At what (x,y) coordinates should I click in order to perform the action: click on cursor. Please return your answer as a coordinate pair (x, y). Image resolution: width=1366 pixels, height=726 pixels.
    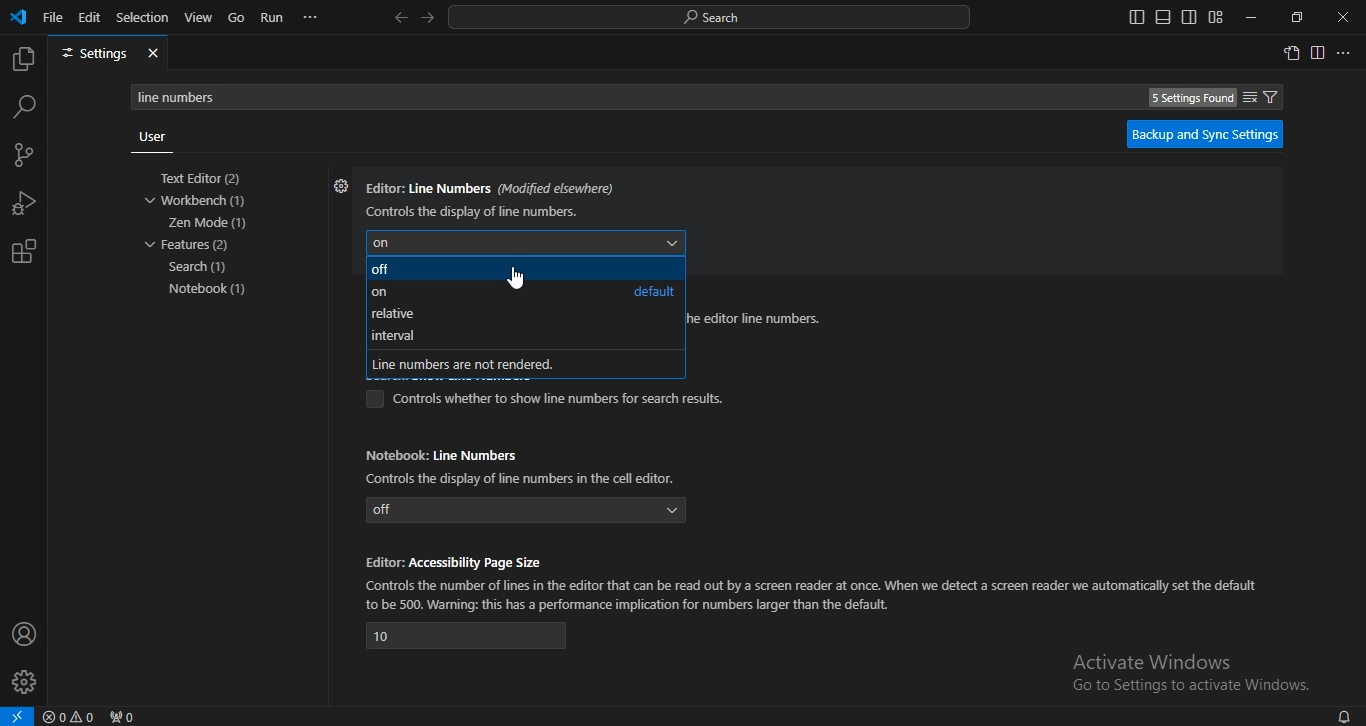
    Looking at the image, I should click on (519, 278).